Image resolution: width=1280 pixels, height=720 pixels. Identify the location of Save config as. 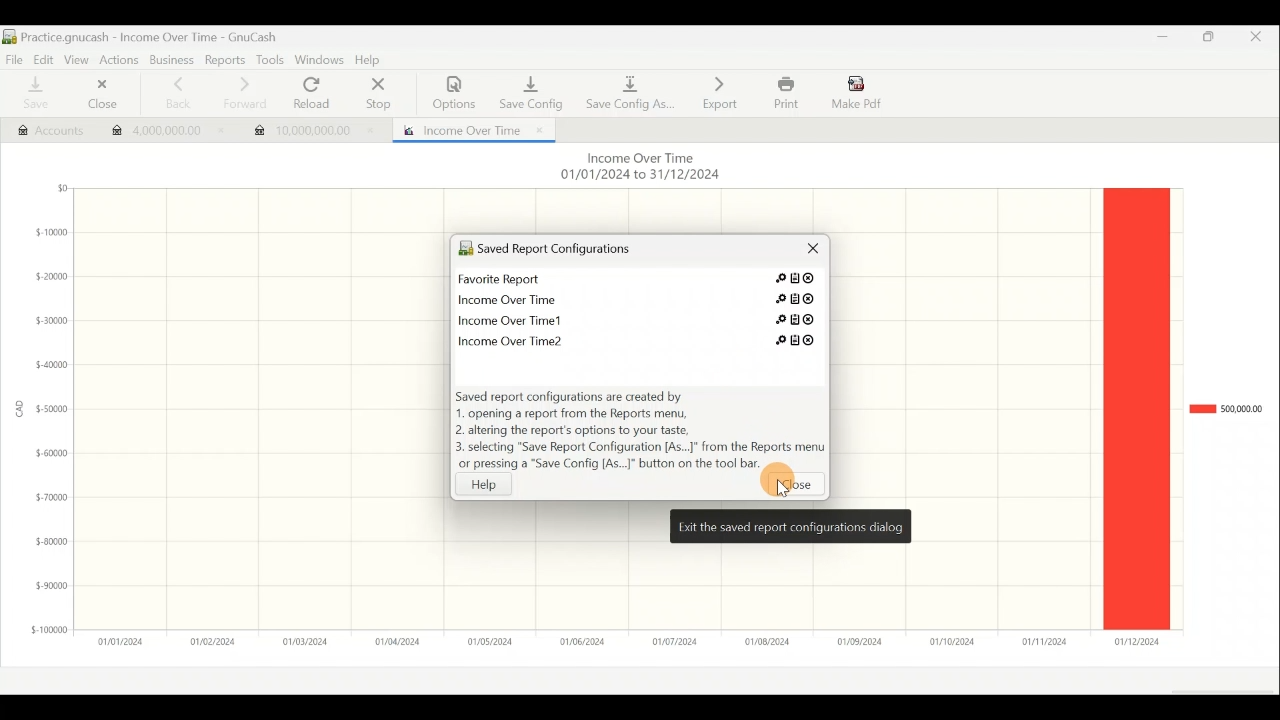
(630, 90).